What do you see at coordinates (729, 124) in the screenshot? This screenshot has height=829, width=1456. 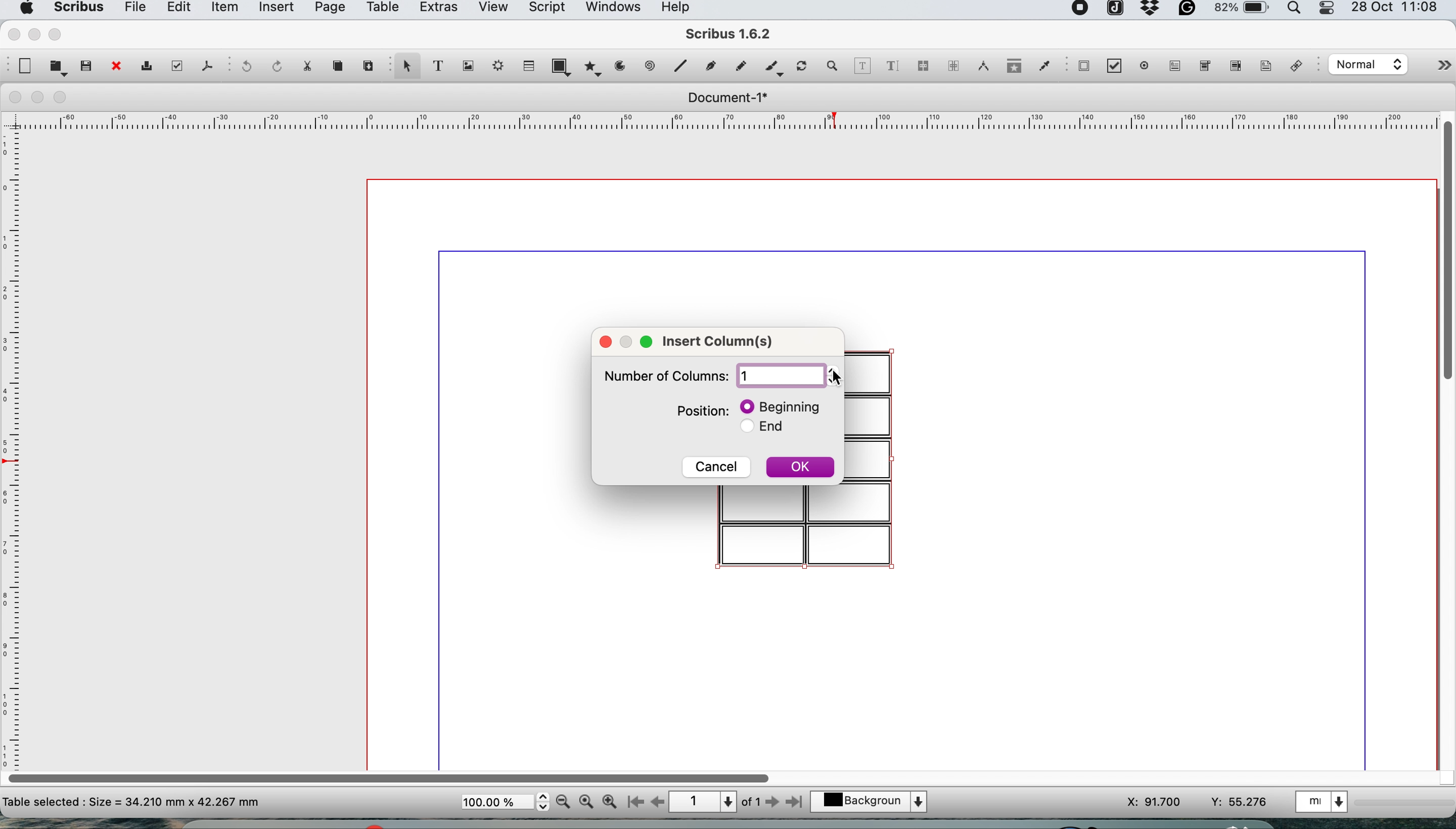 I see `horizontal scale` at bounding box center [729, 124].